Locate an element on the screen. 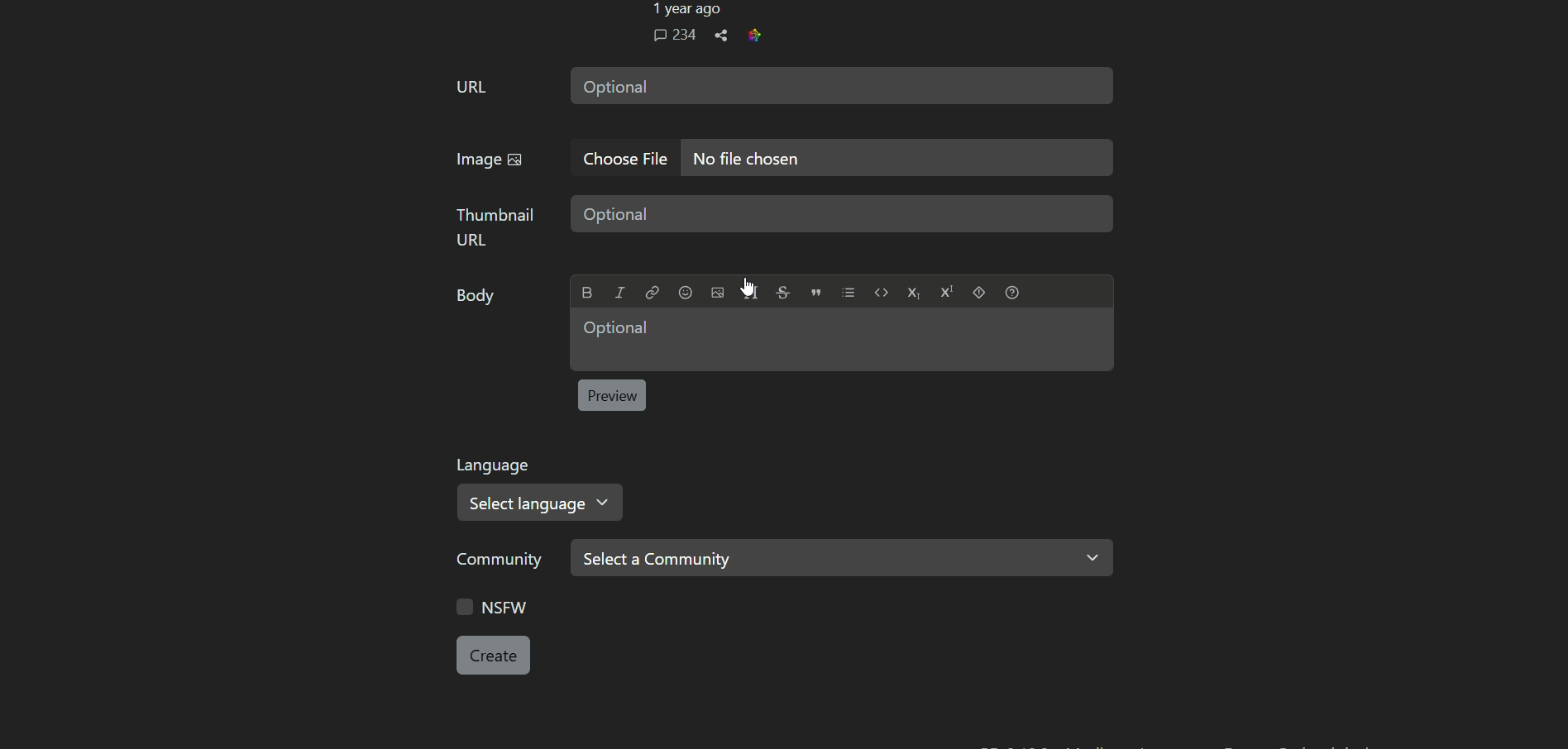 This screenshot has width=1568, height=749. Spoiler is located at coordinates (978, 292).